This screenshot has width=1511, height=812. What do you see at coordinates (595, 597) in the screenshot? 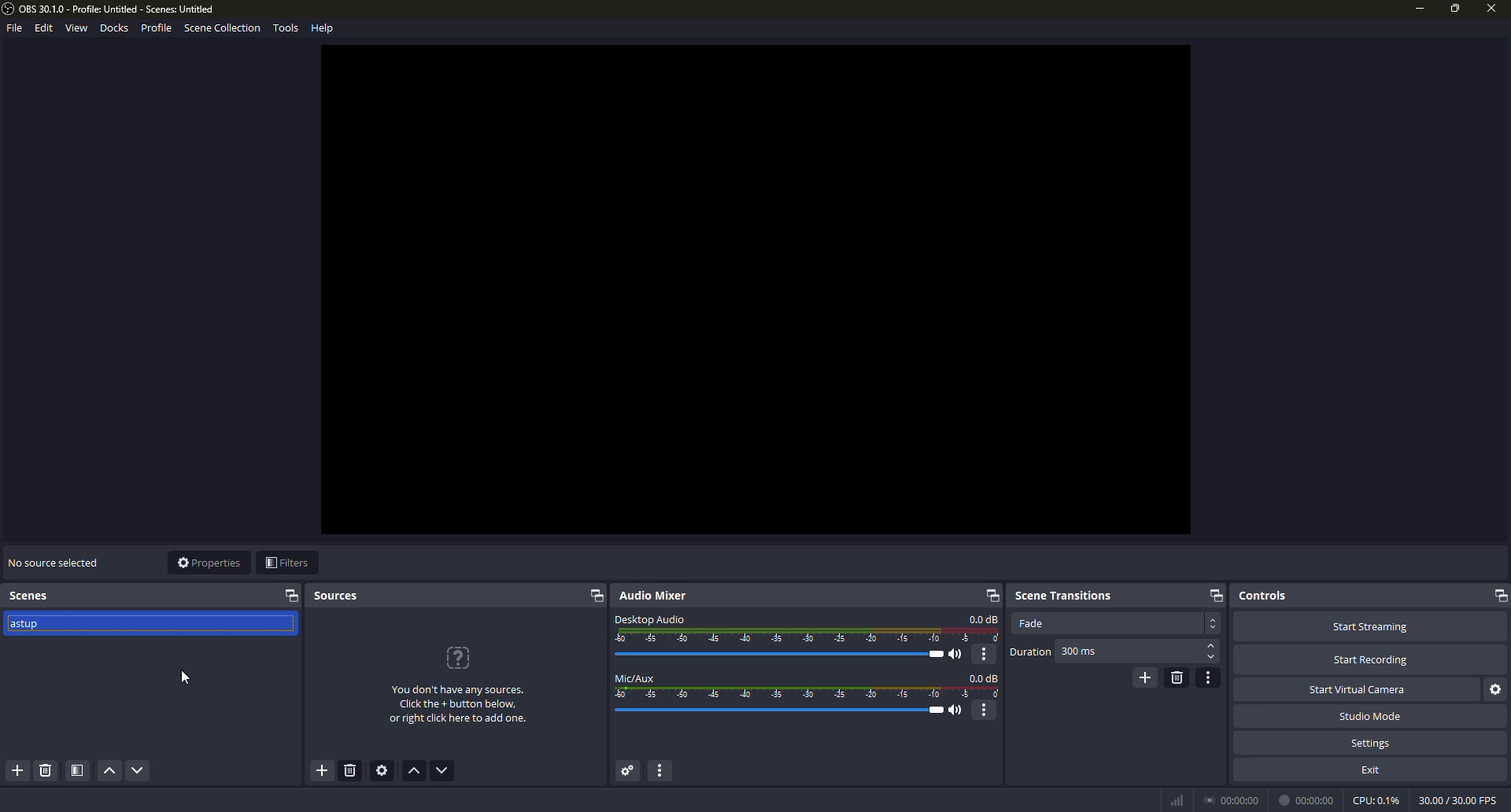
I see `expand` at bounding box center [595, 597].